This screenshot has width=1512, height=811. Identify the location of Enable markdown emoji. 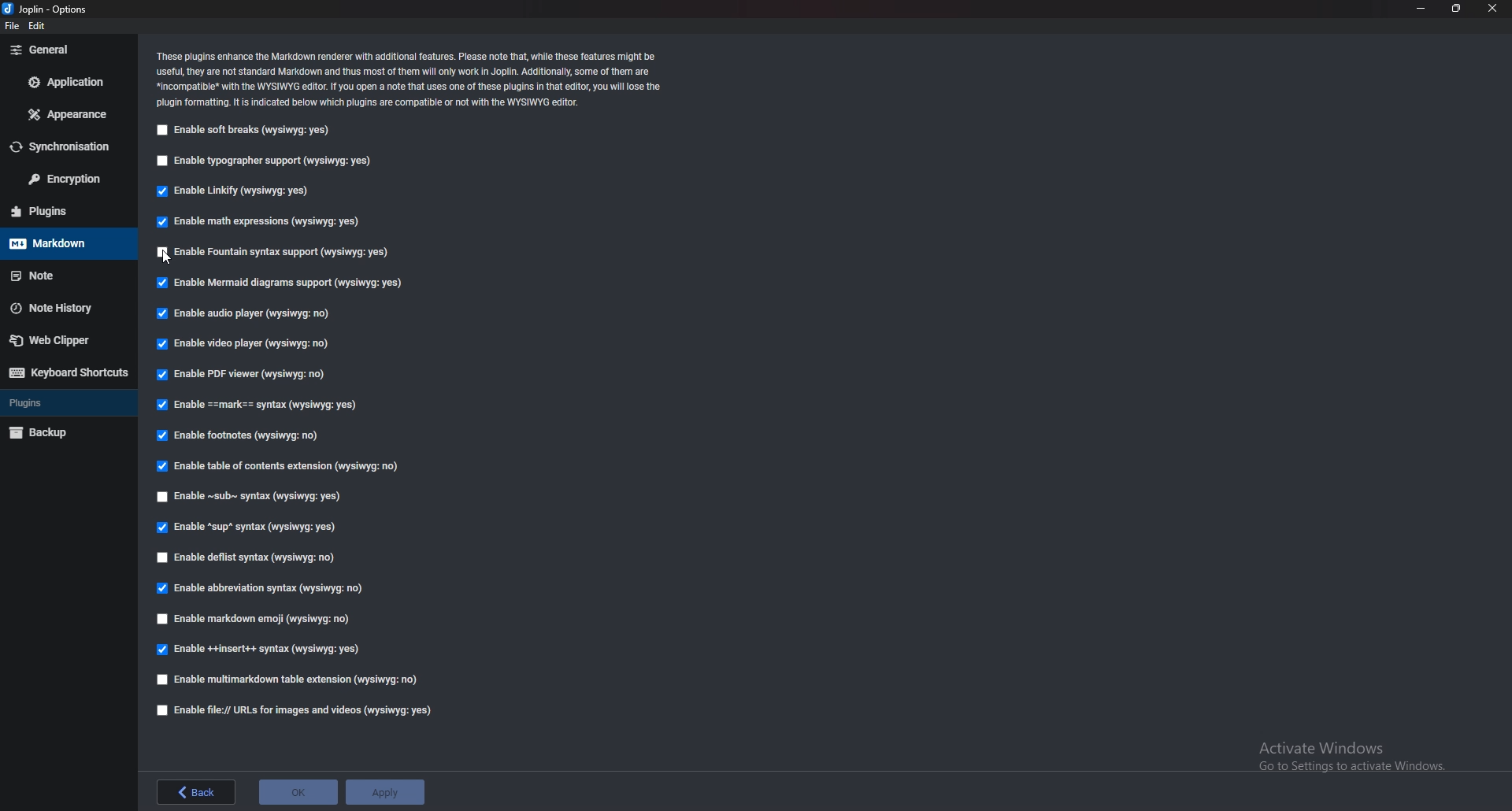
(258, 620).